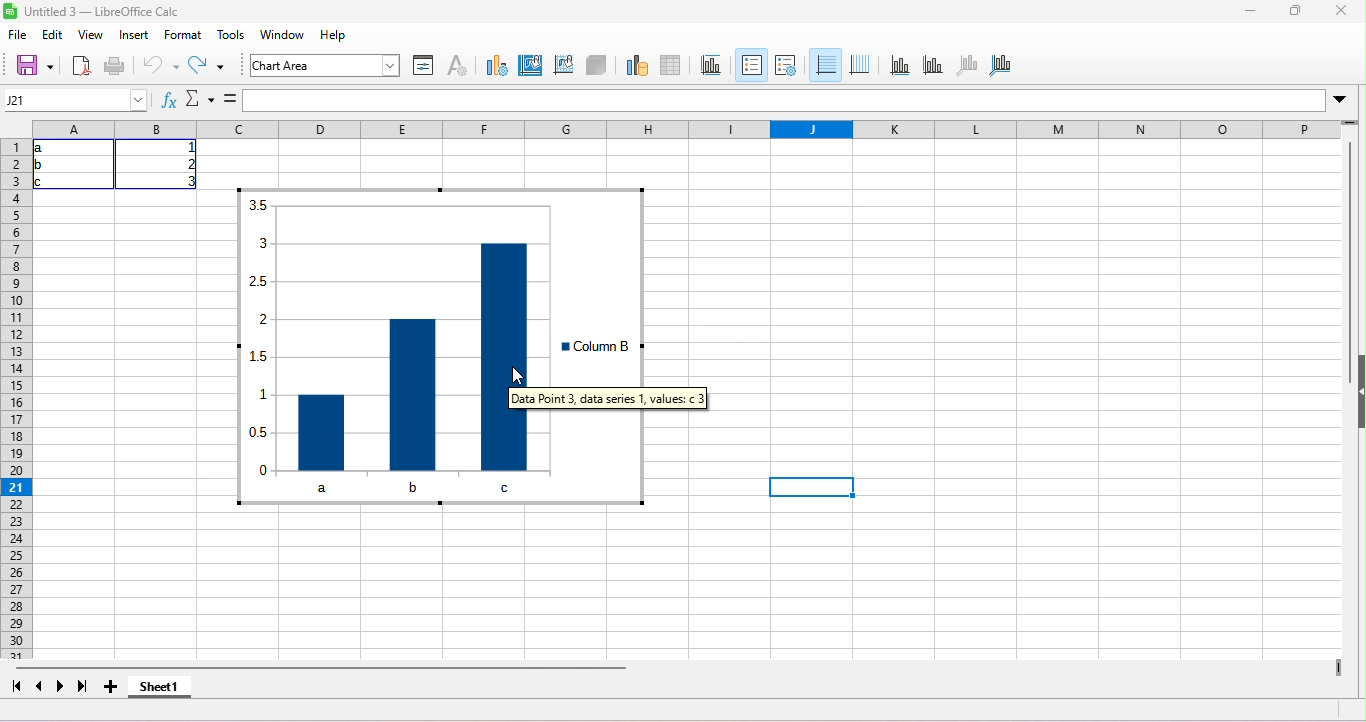 The image size is (1366, 722). Describe the element at coordinates (339, 37) in the screenshot. I see `help` at that location.